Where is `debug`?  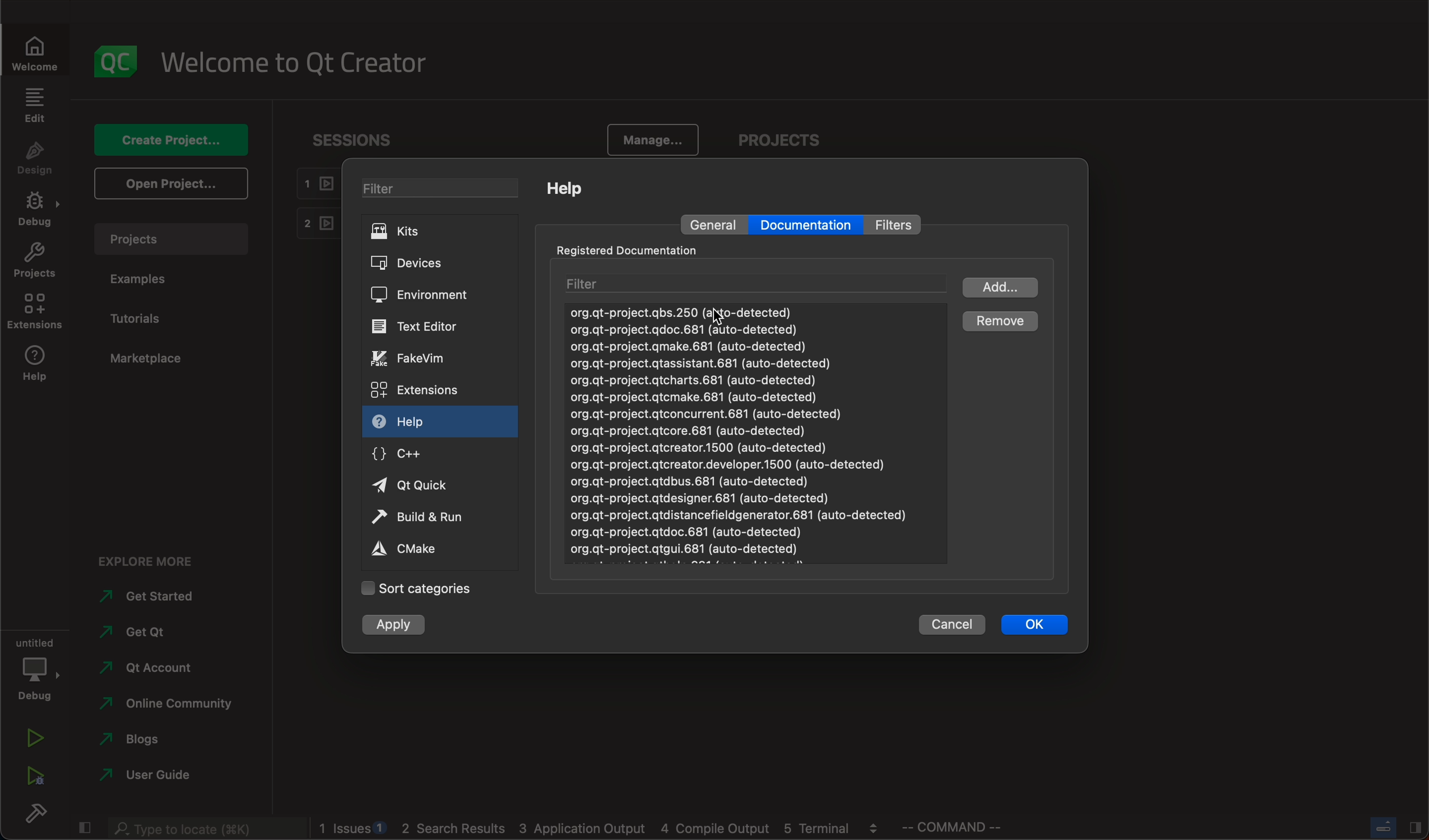
debug is located at coordinates (37, 212).